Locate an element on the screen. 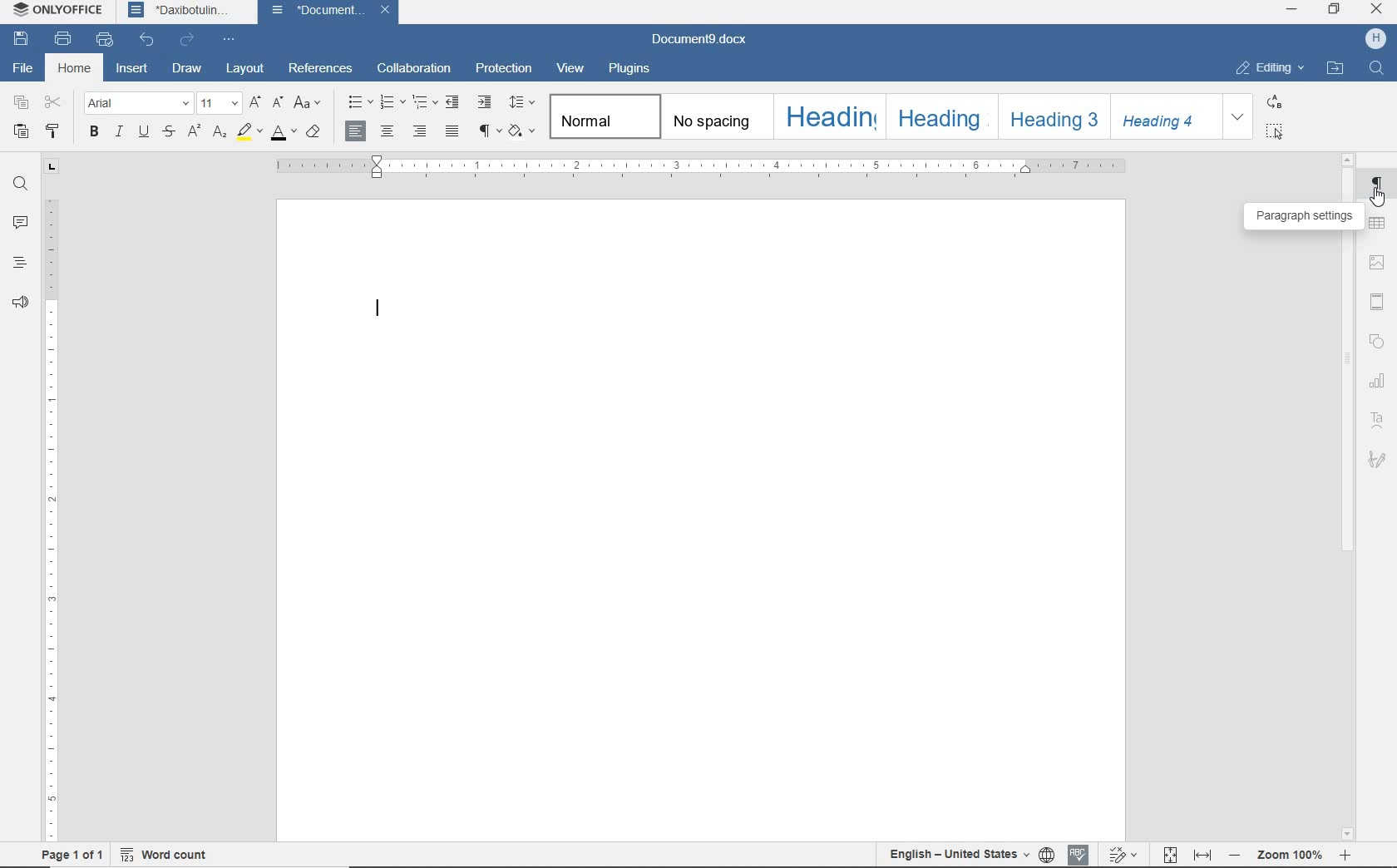 The width and height of the screenshot is (1397, 868). insert is located at coordinates (135, 70).